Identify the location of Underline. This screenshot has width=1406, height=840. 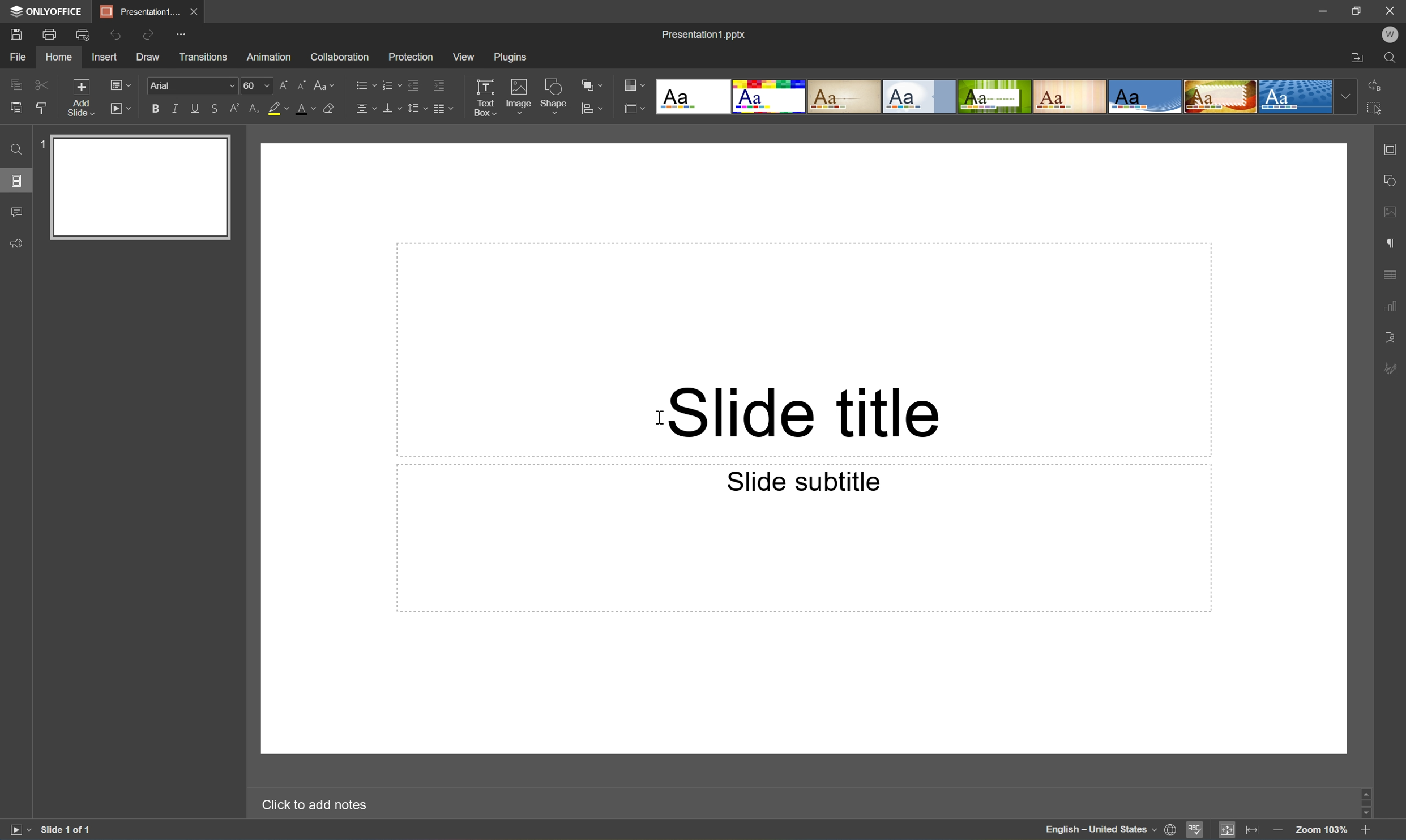
(194, 109).